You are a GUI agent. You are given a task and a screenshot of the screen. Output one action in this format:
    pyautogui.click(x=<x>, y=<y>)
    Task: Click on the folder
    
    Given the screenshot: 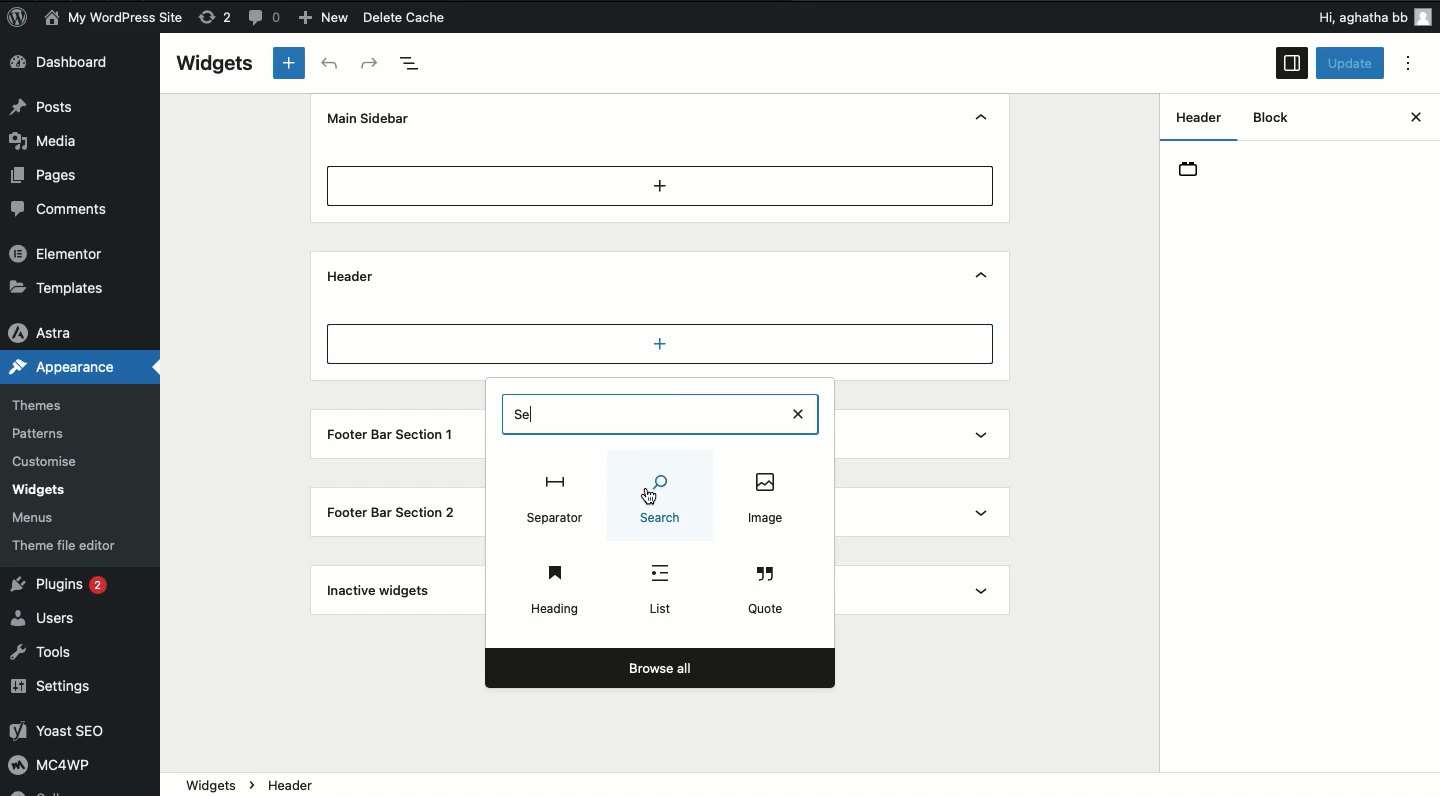 What is the action you would take?
    pyautogui.click(x=1197, y=174)
    